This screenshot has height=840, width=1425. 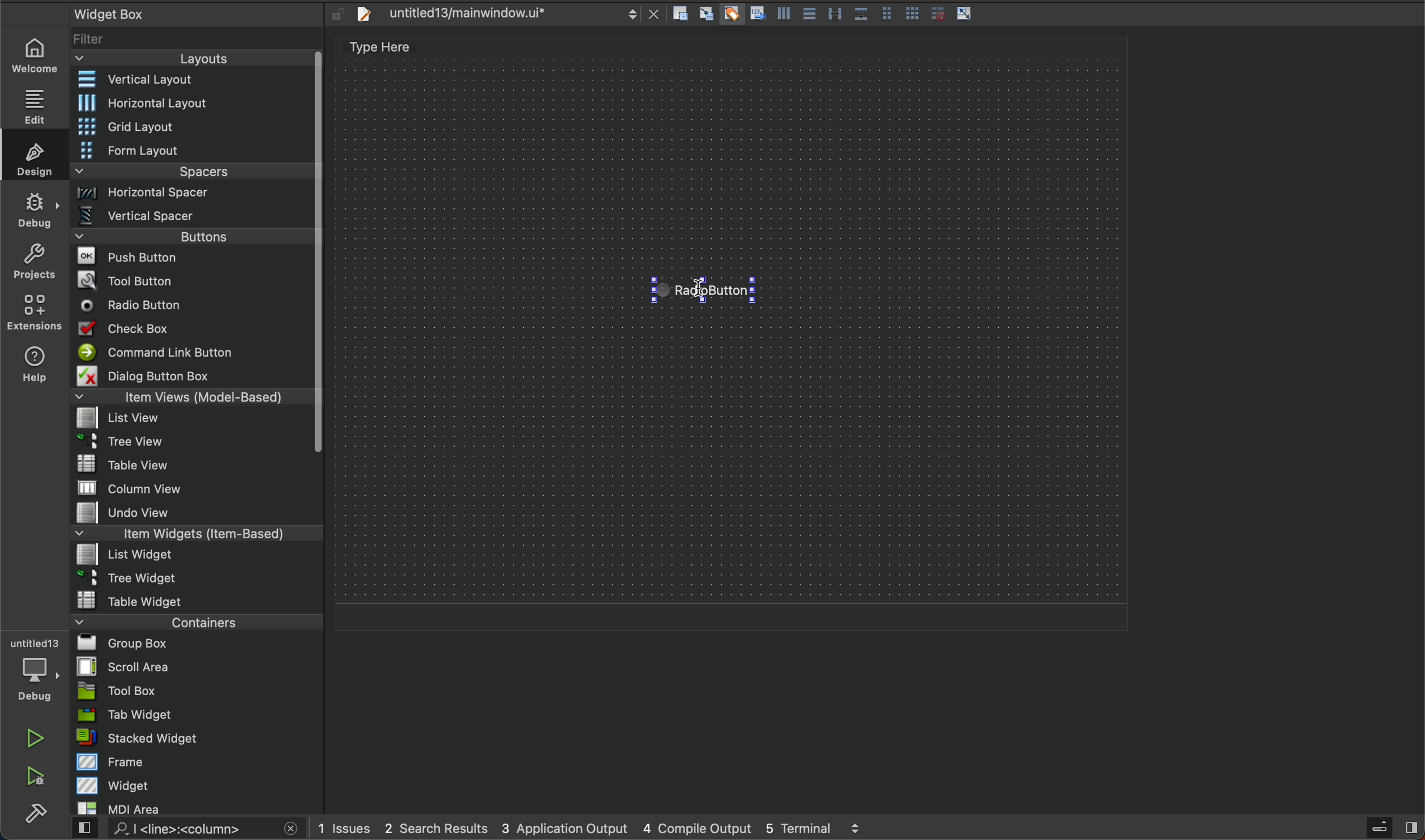 I want to click on frame, so click(x=199, y=761).